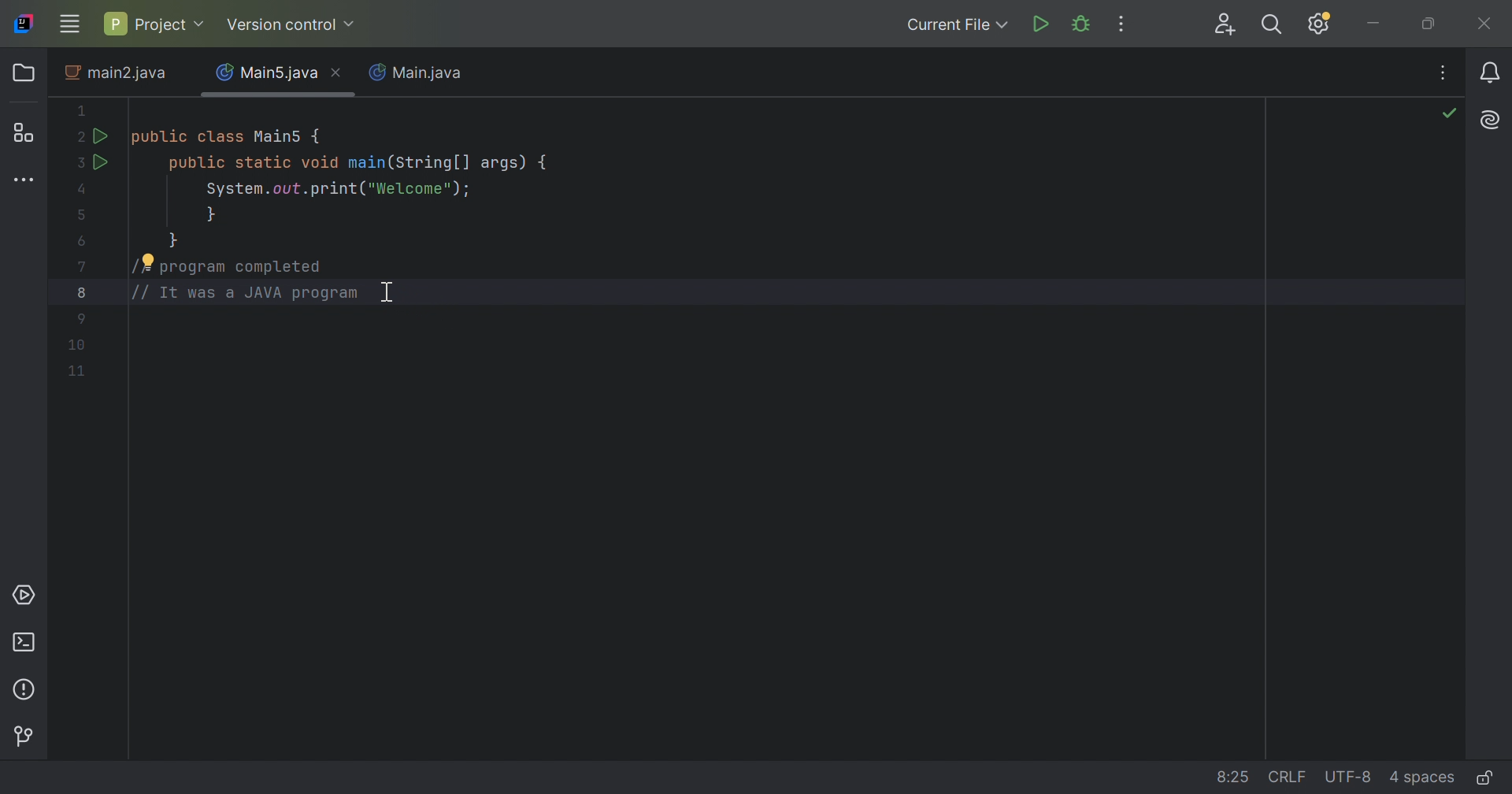 Image resolution: width=1512 pixels, height=794 pixels. I want to click on Edit or read-only, so click(1489, 777).